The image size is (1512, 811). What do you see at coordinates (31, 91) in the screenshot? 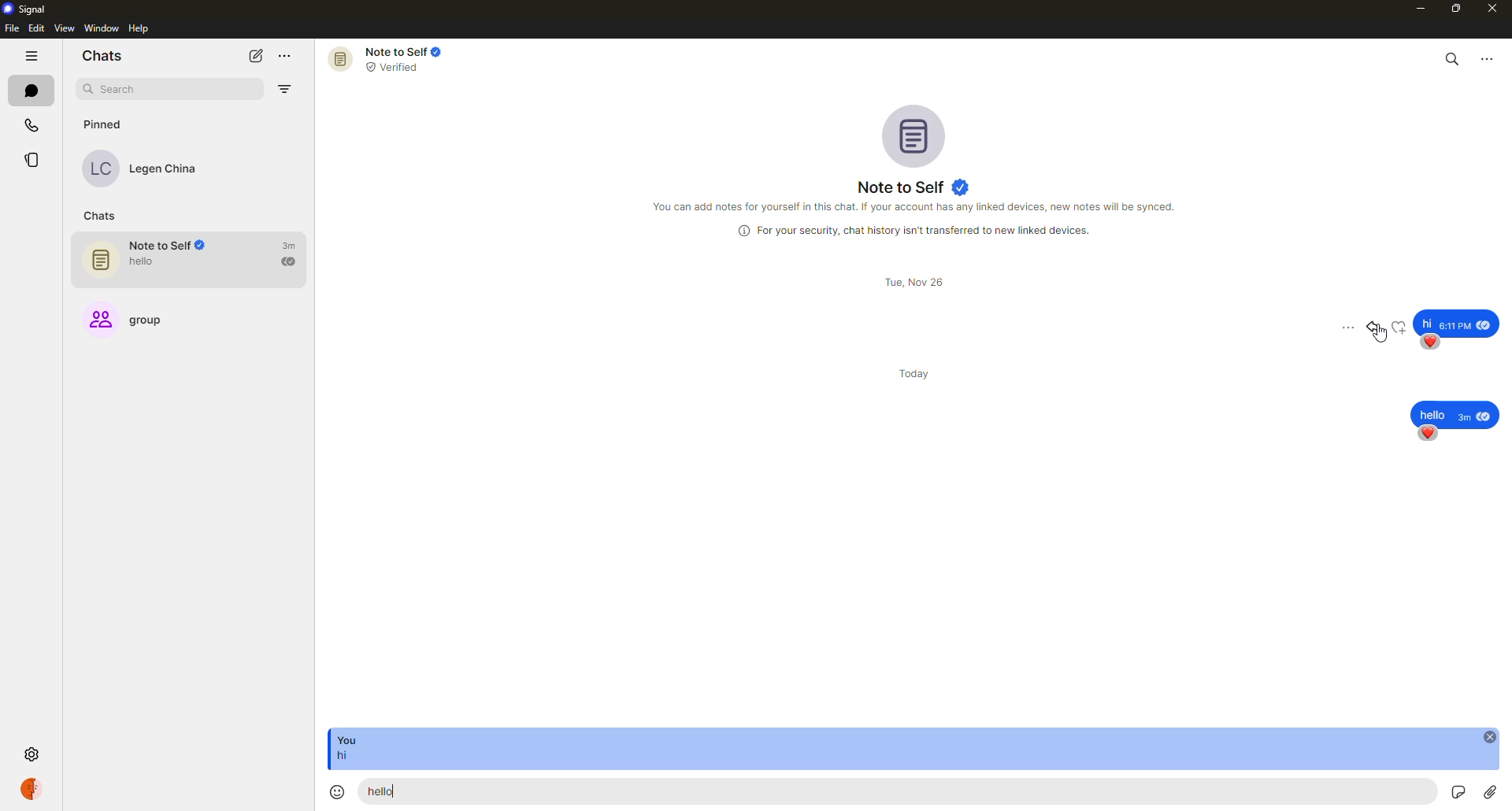
I see `chats` at bounding box center [31, 91].